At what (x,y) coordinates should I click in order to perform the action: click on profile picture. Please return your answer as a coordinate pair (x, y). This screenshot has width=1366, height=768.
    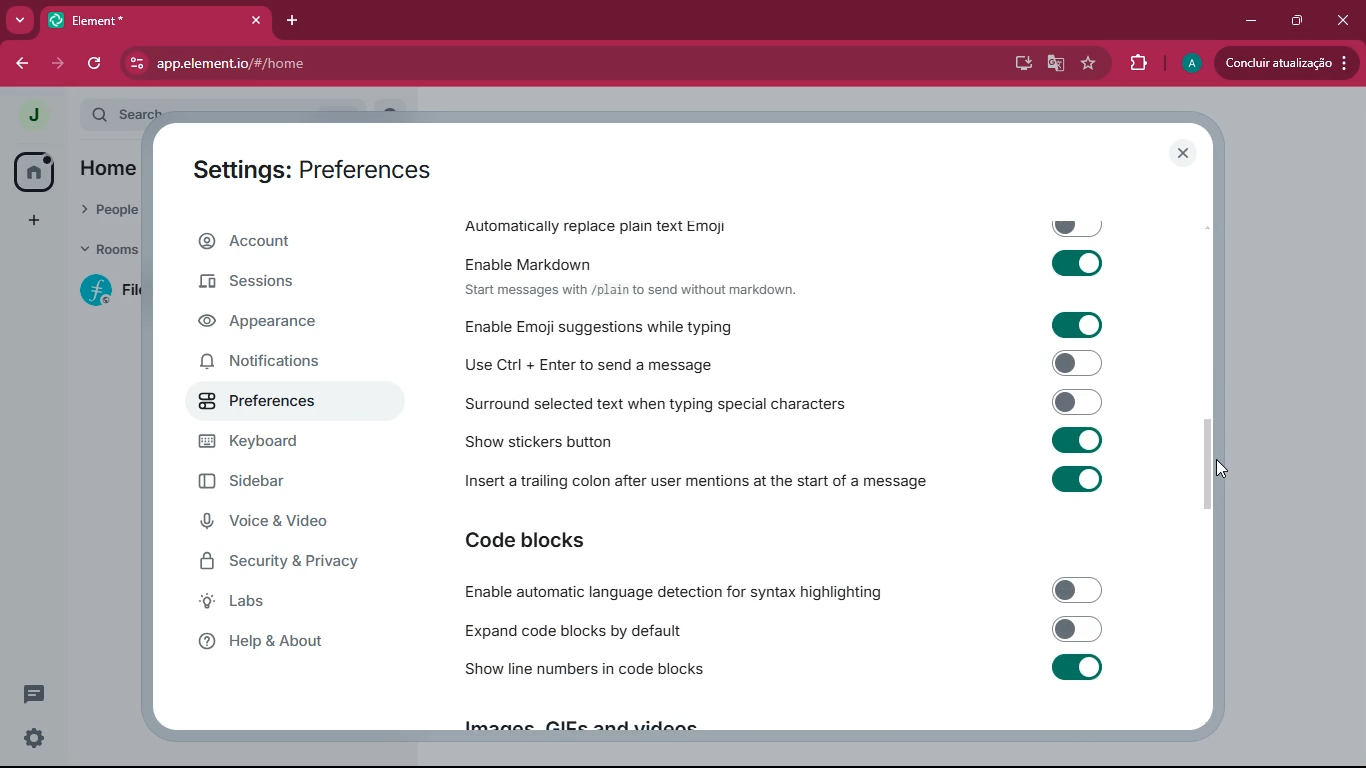
    Looking at the image, I should click on (1190, 64).